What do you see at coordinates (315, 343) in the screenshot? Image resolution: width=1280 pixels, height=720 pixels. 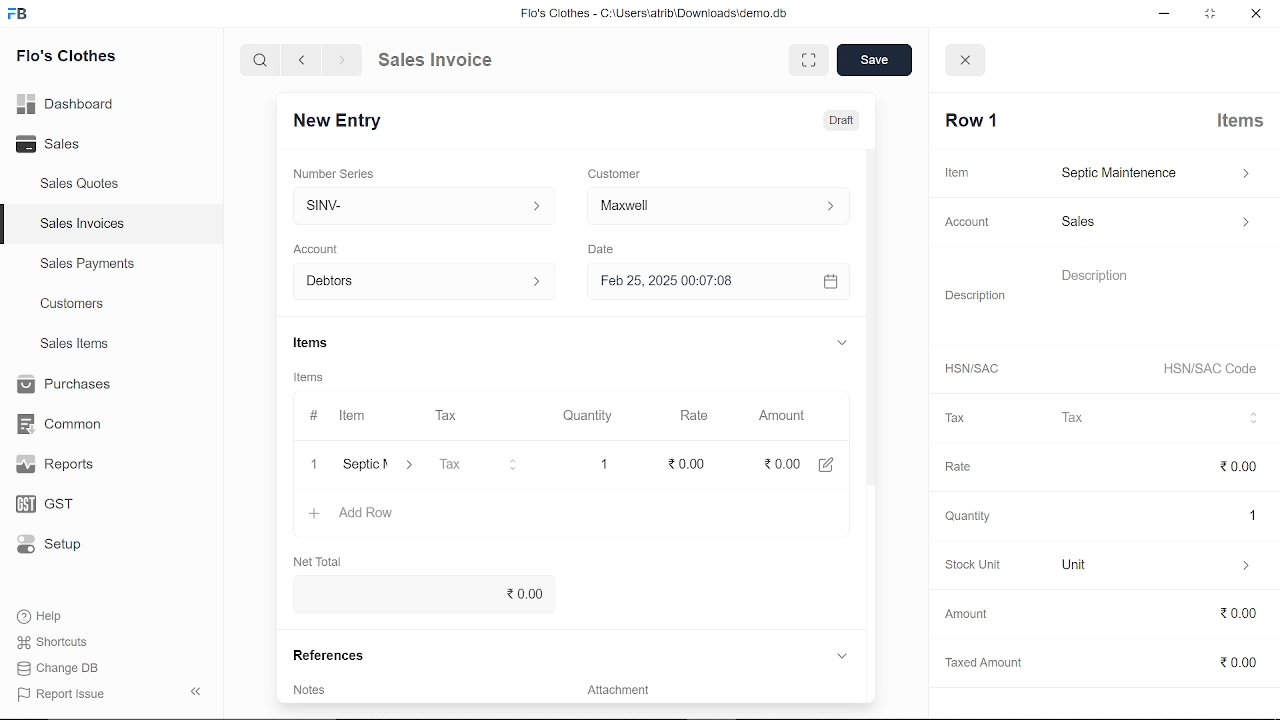 I see `Items` at bounding box center [315, 343].